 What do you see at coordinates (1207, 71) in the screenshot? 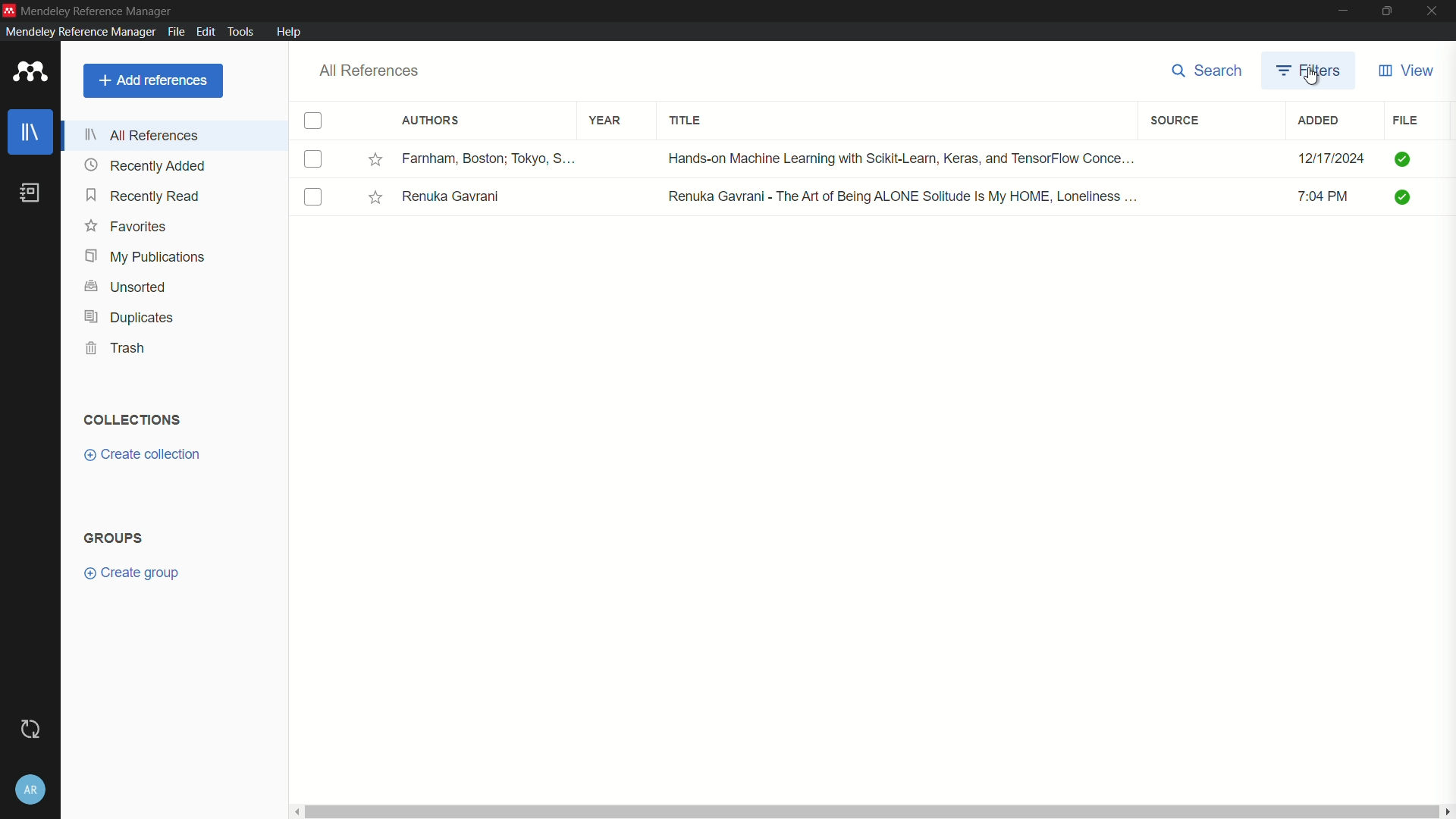
I see `search` at bounding box center [1207, 71].